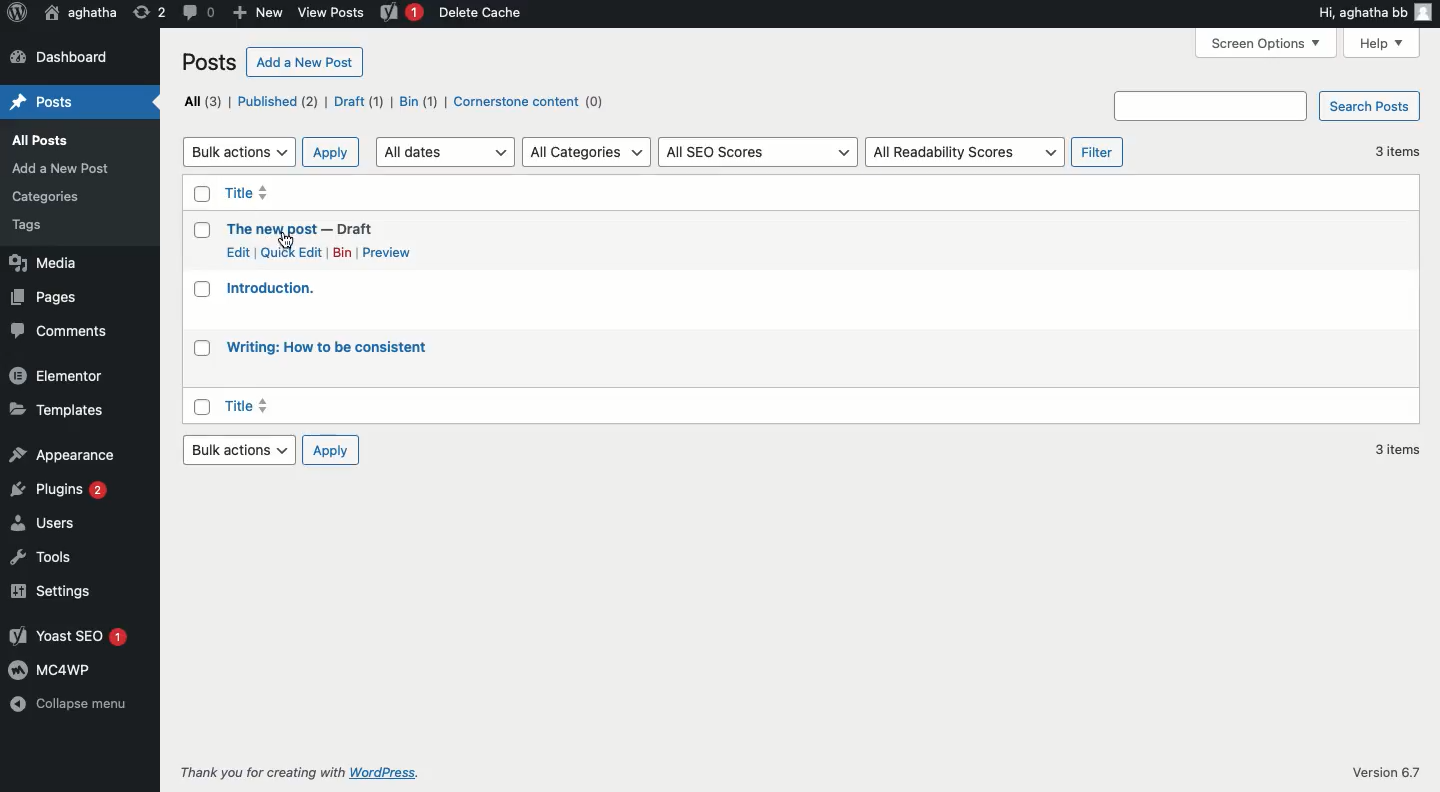 This screenshot has width=1440, height=792. I want to click on Check box, so click(200, 407).